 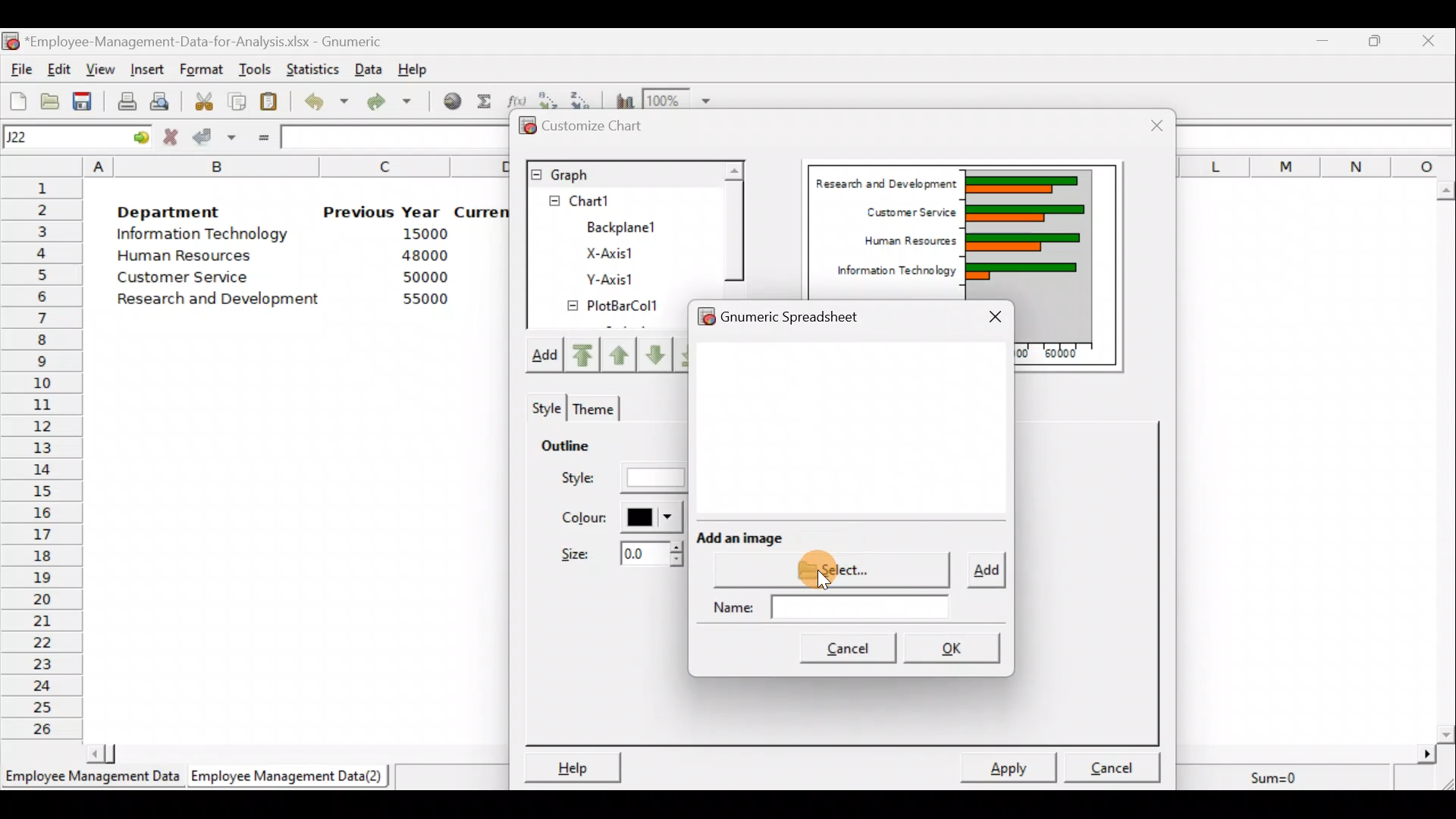 I want to click on Employee Management Data, so click(x=90, y=778).